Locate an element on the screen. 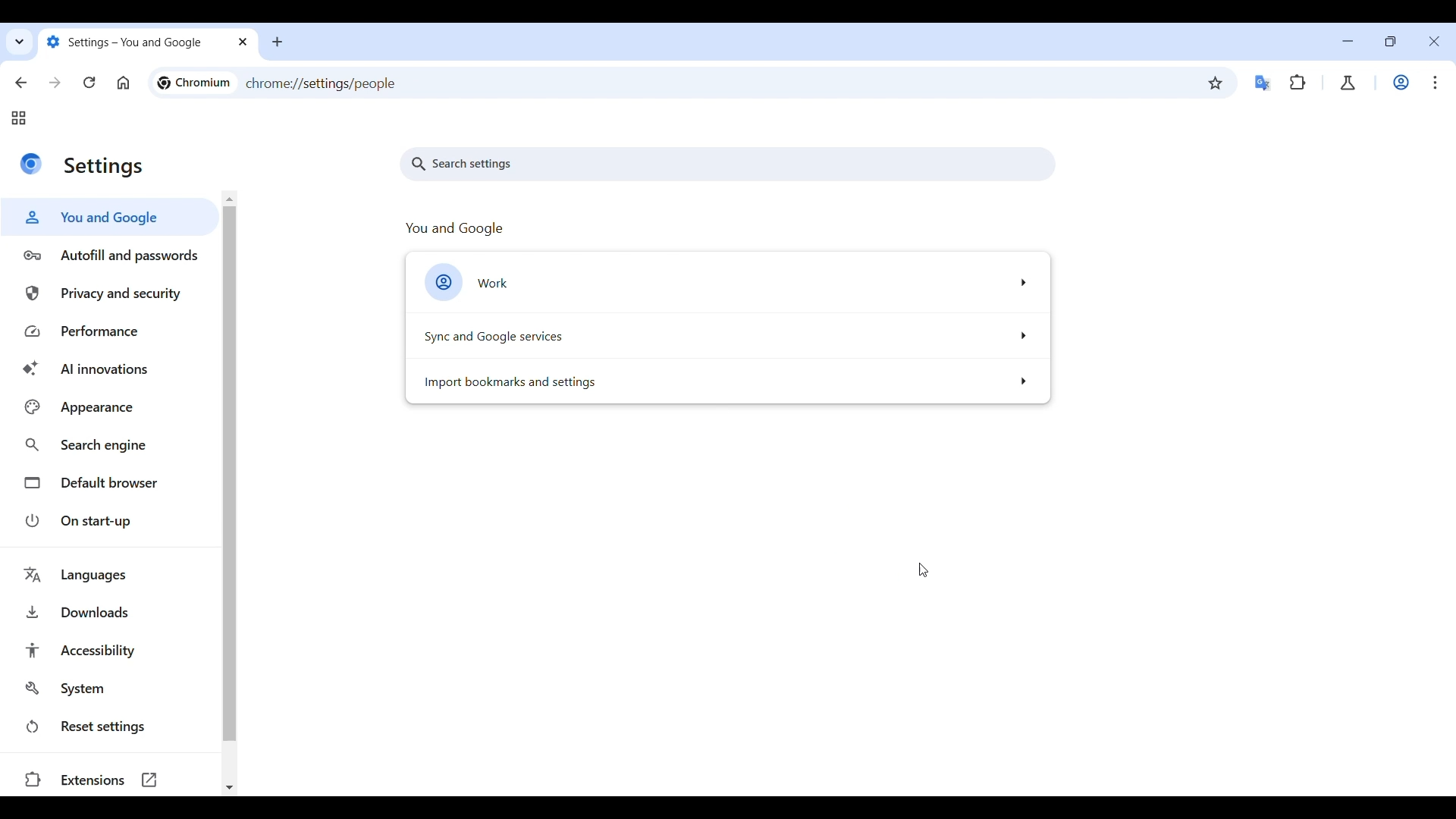 The image size is (1456, 819). Go back is located at coordinates (21, 83).